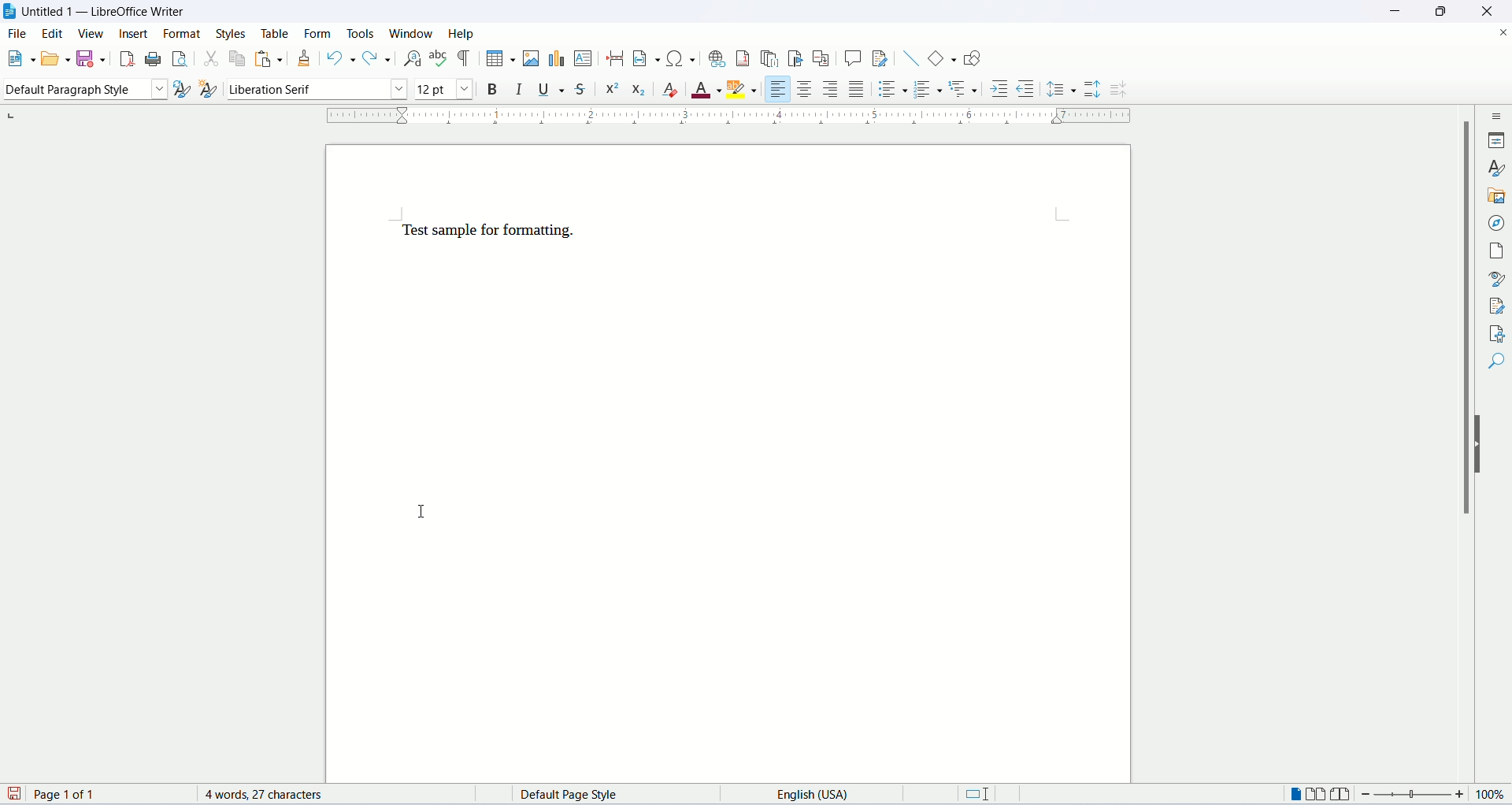  Describe the element at coordinates (852, 57) in the screenshot. I see `insert comment` at that location.